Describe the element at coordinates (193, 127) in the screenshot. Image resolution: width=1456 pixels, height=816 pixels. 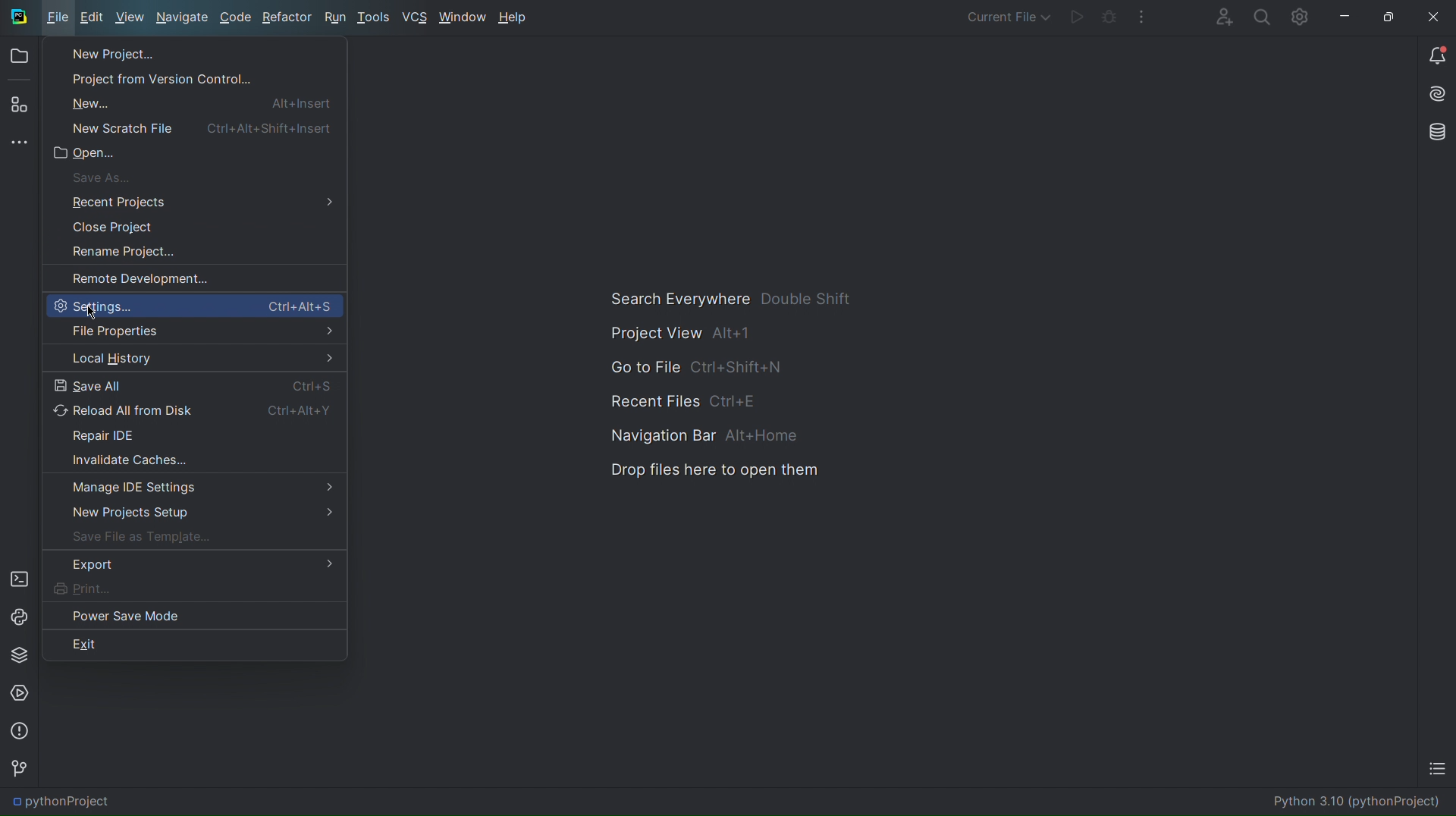
I see `New Scratch File` at that location.